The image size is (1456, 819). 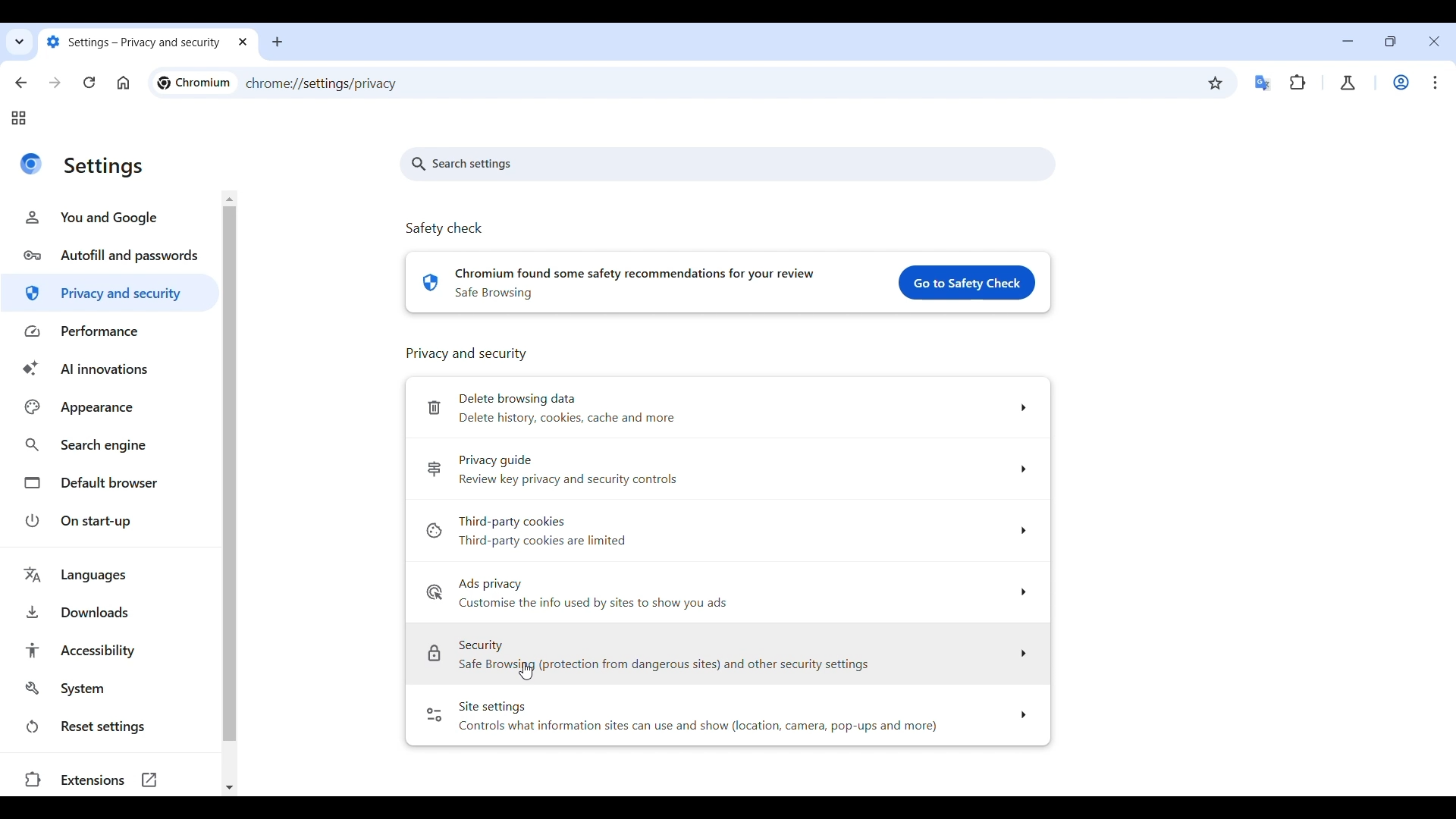 What do you see at coordinates (228, 789) in the screenshot?
I see `Quick slide to bottom` at bounding box center [228, 789].